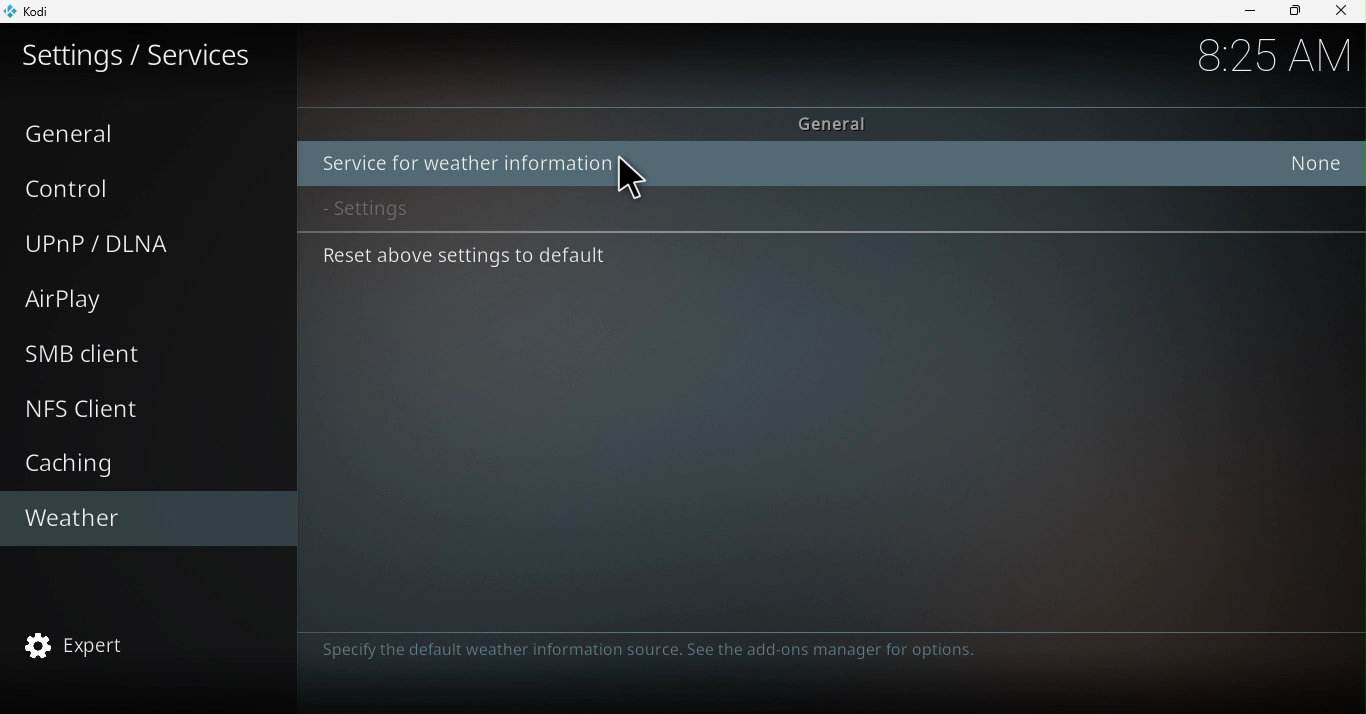  I want to click on General, so click(839, 118).